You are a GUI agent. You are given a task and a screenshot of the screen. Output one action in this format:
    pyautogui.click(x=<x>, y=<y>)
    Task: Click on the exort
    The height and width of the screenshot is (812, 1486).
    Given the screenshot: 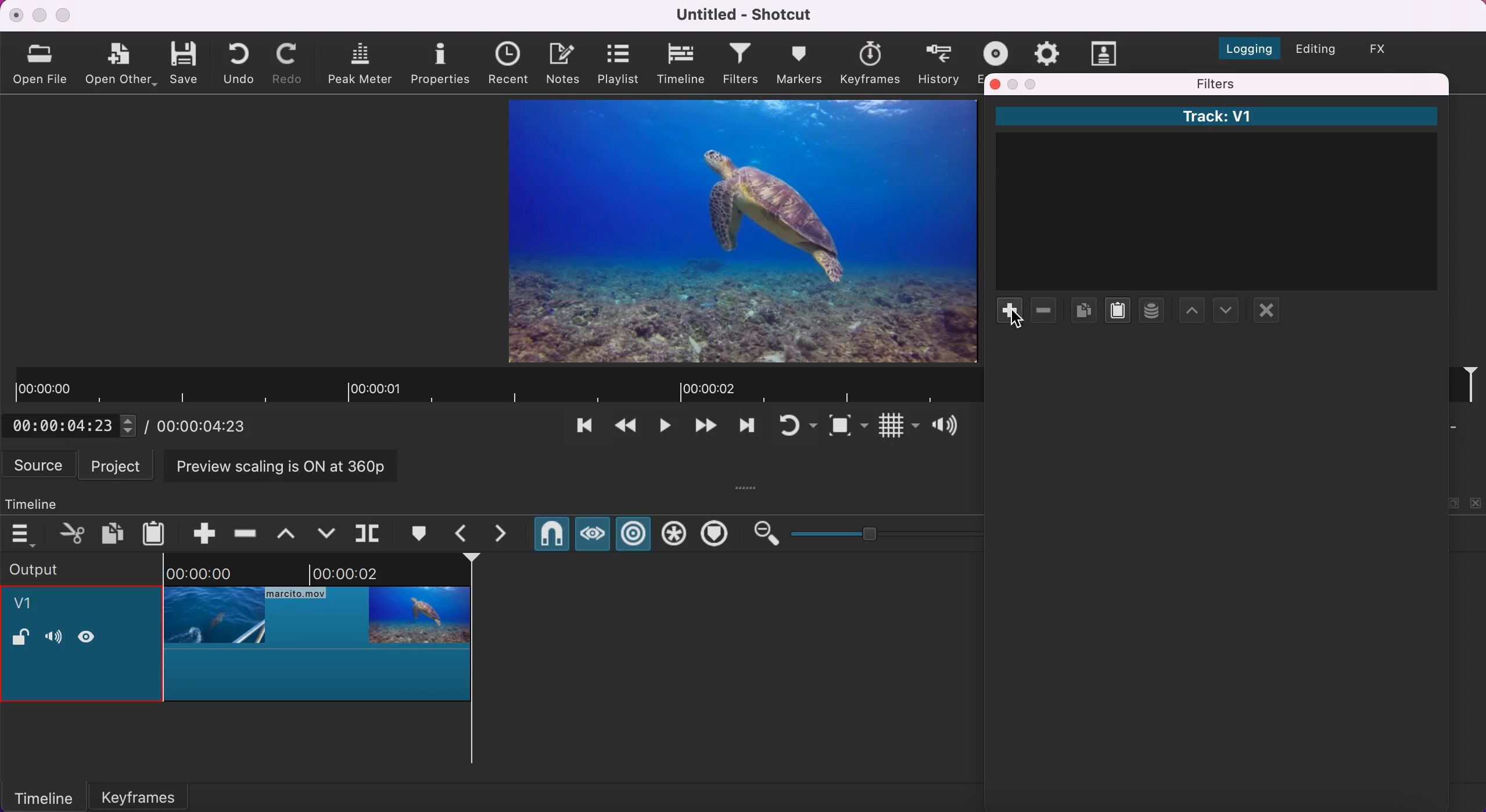 What is the action you would take?
    pyautogui.click(x=999, y=51)
    